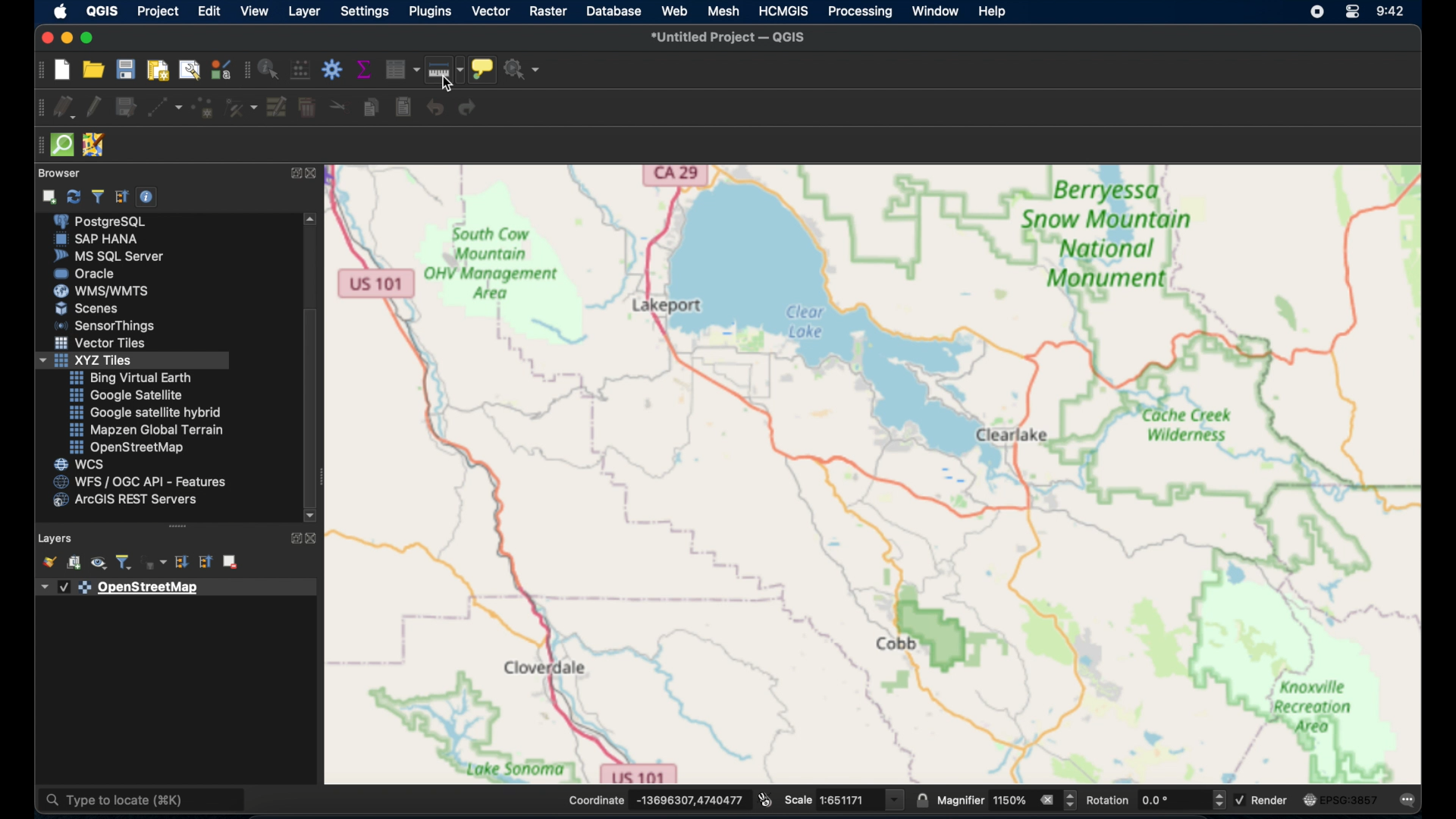  What do you see at coordinates (63, 144) in the screenshot?
I see `quicksom` at bounding box center [63, 144].